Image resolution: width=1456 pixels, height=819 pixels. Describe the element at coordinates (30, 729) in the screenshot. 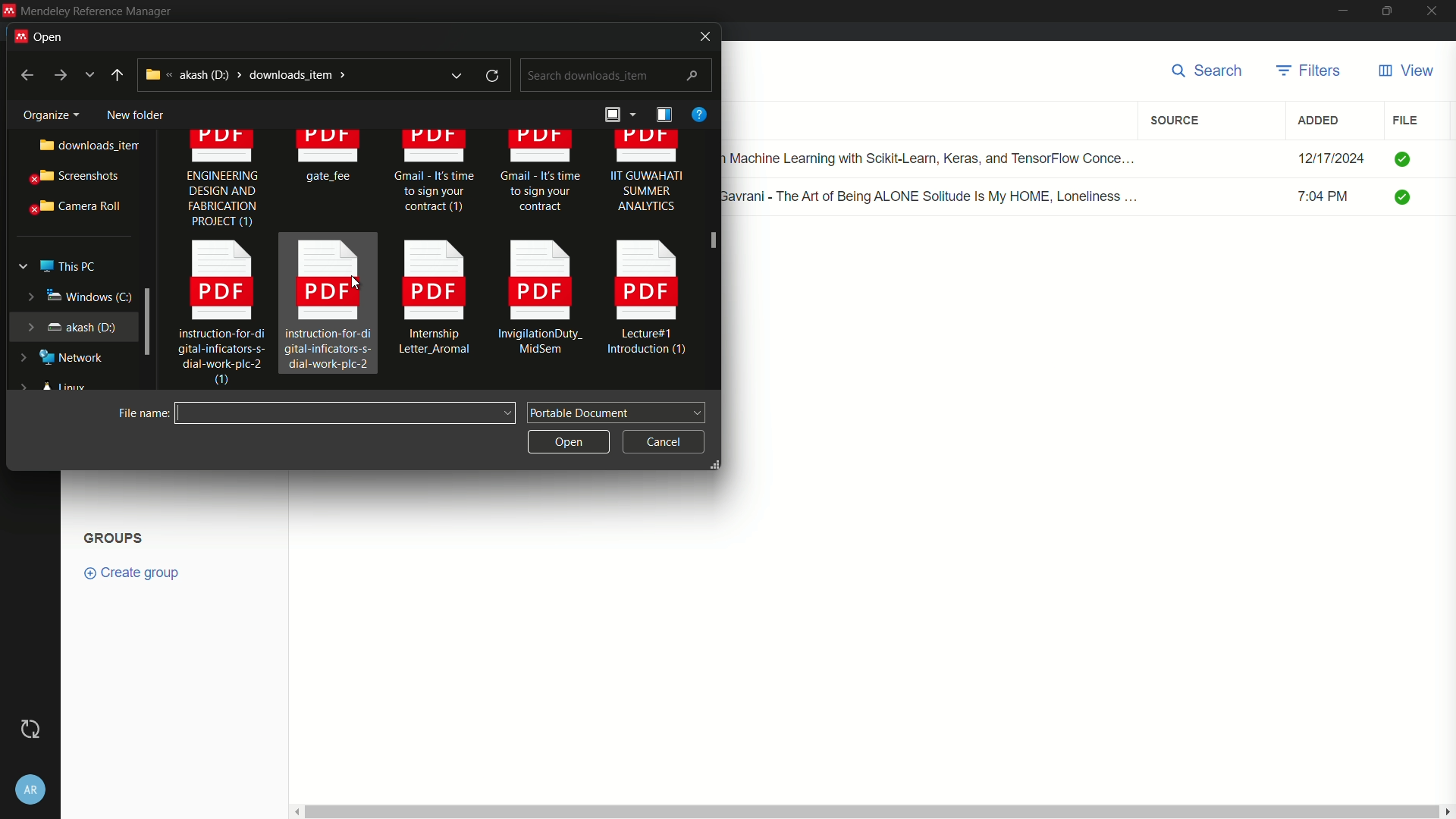

I see `Sync` at that location.